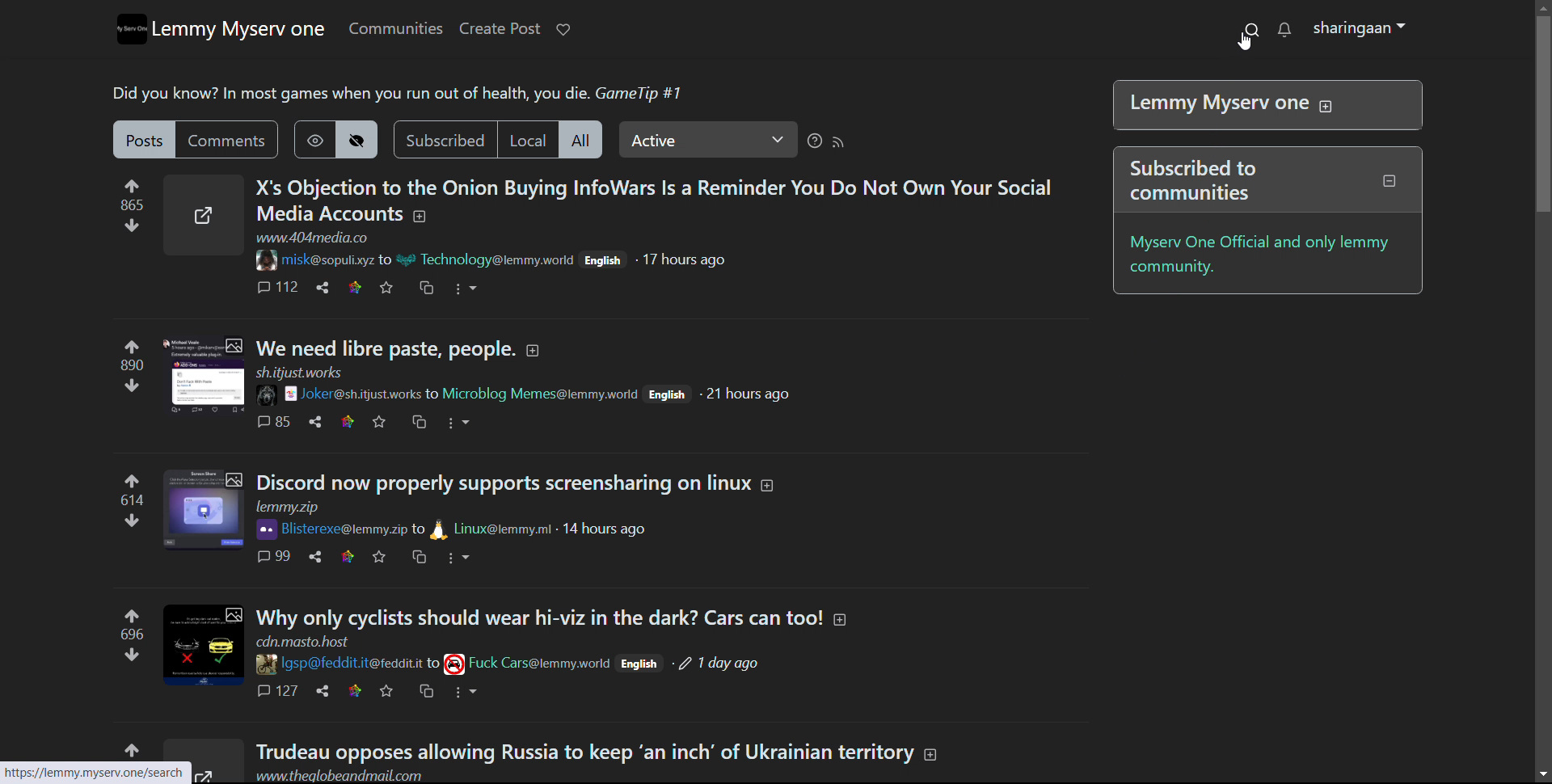  What do you see at coordinates (669, 394) in the screenshot?
I see `English` at bounding box center [669, 394].